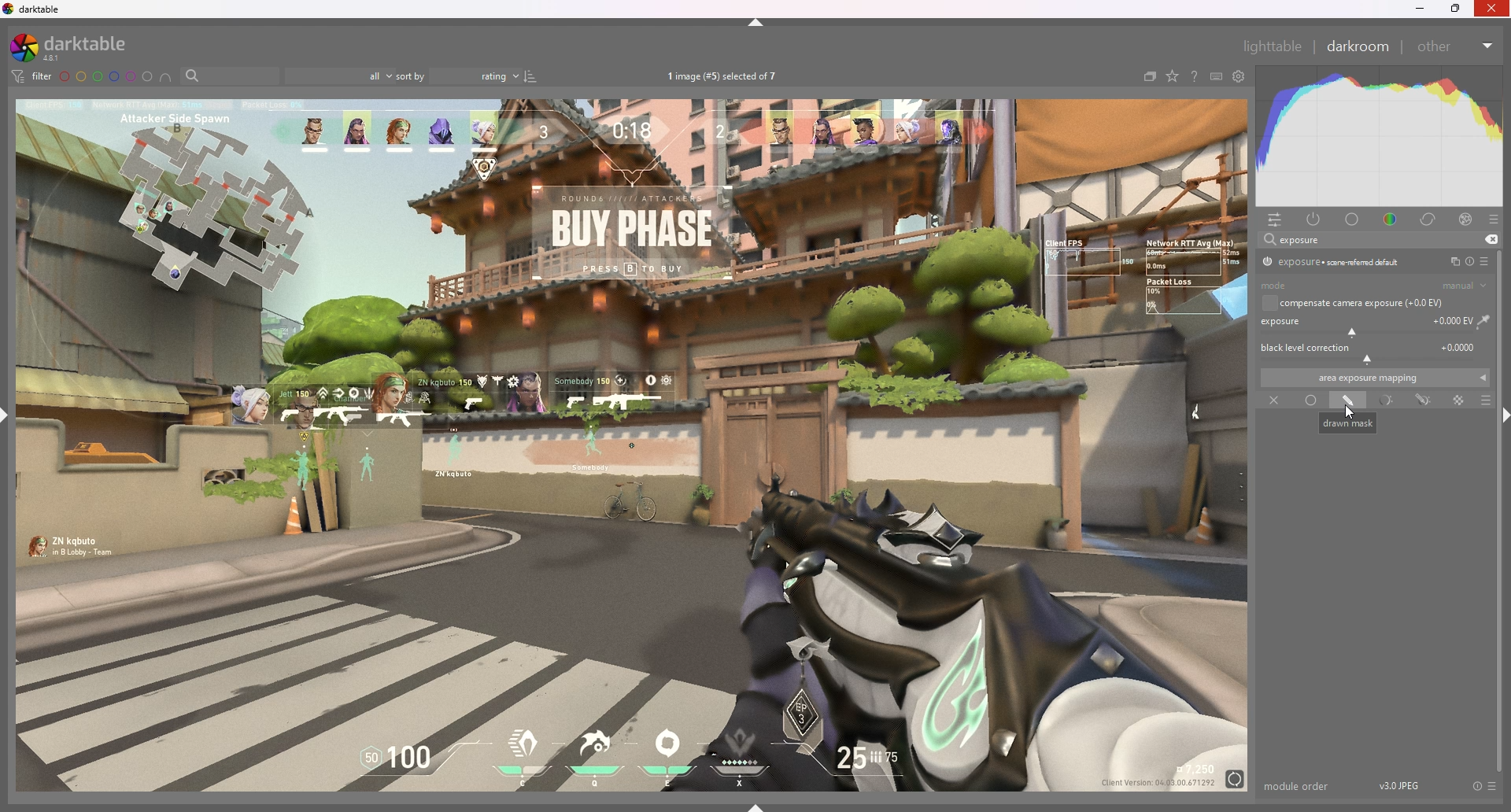  I want to click on filter by images rating, so click(340, 76).